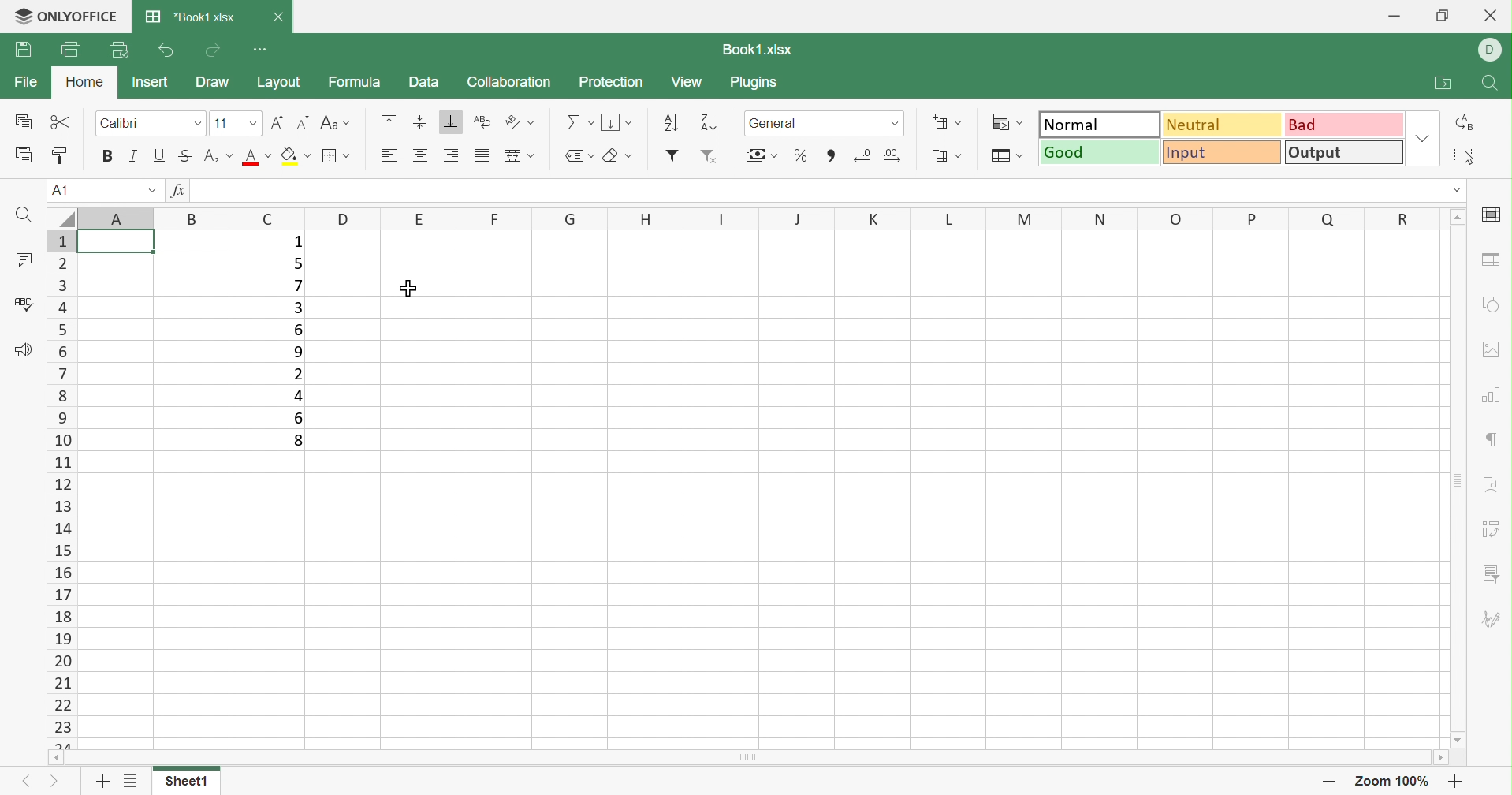 The width and height of the screenshot is (1512, 795). I want to click on 9, so click(299, 354).